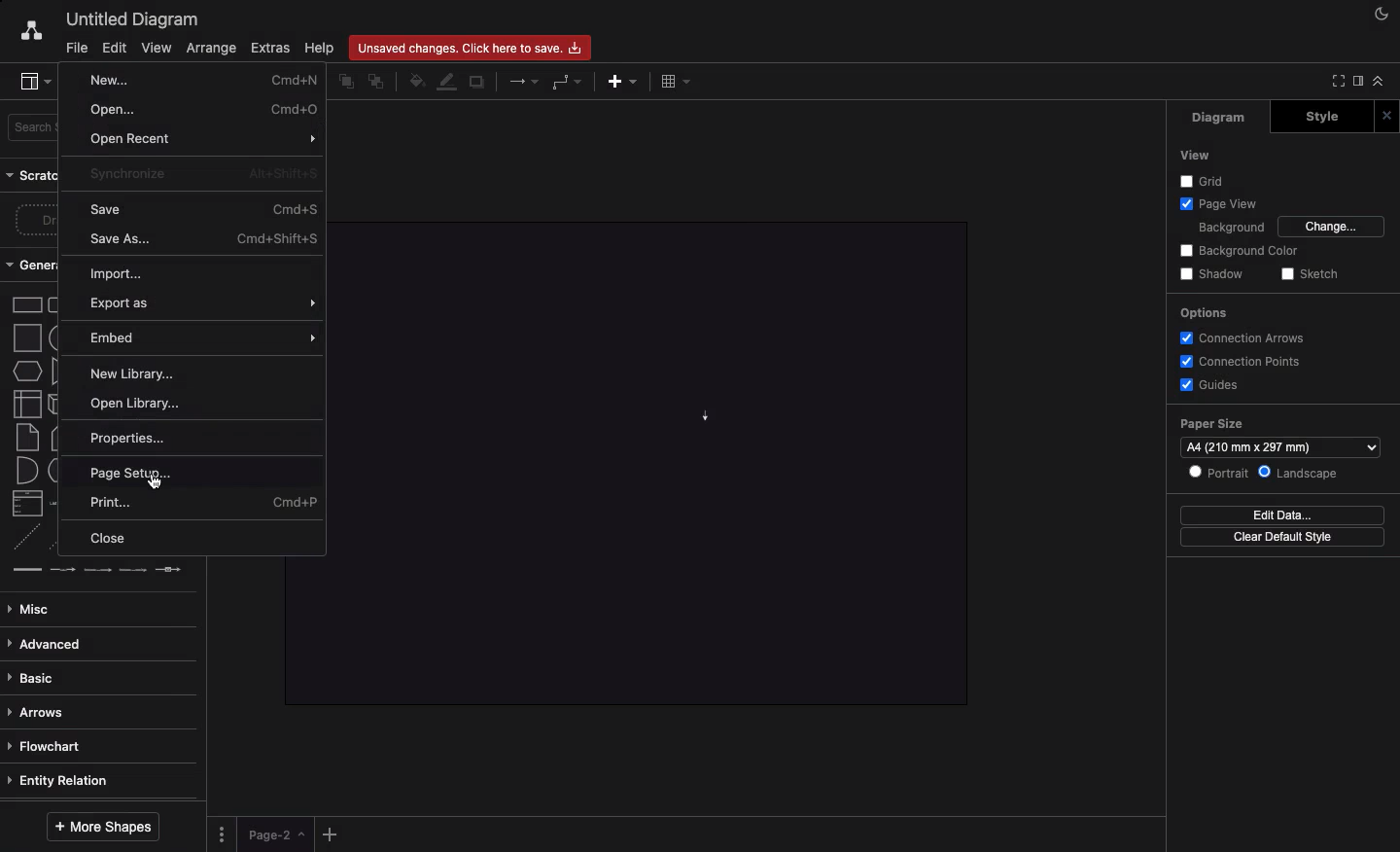  I want to click on Sidebar, so click(28, 79).